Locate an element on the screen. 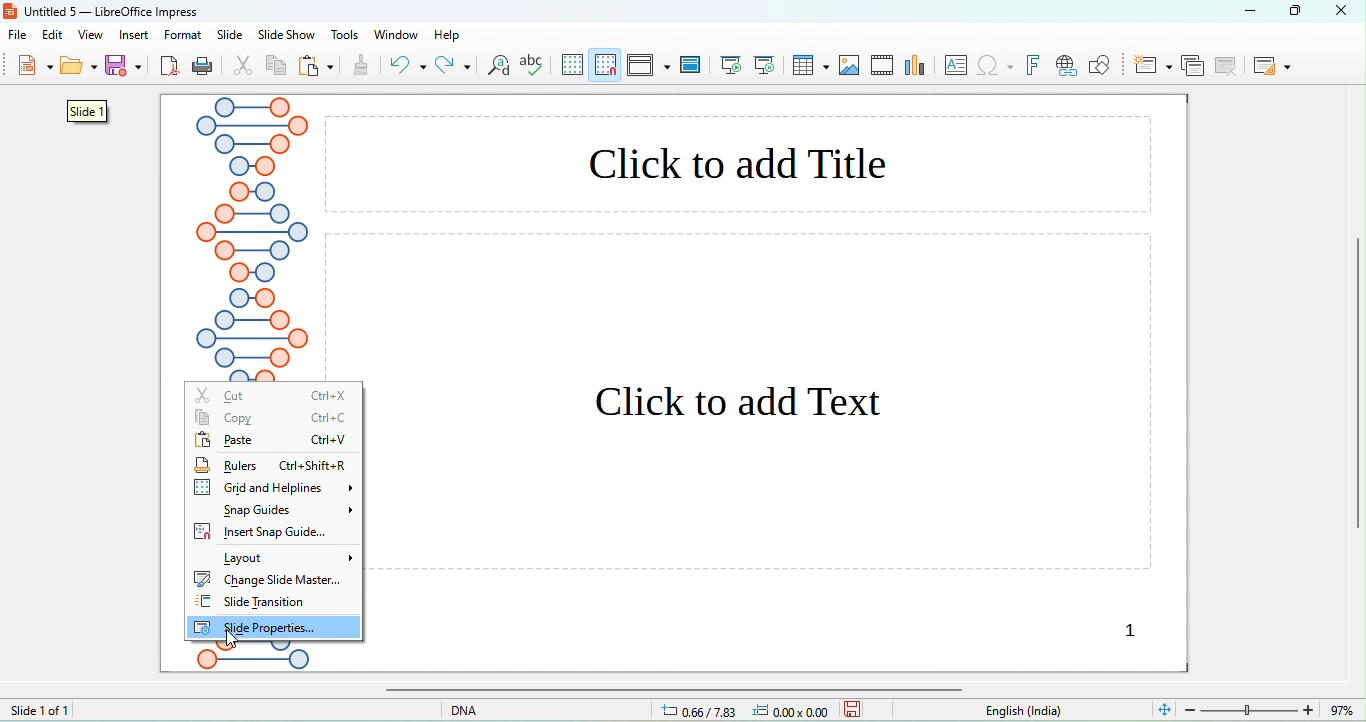 This screenshot has width=1366, height=722. save is located at coordinates (853, 708).